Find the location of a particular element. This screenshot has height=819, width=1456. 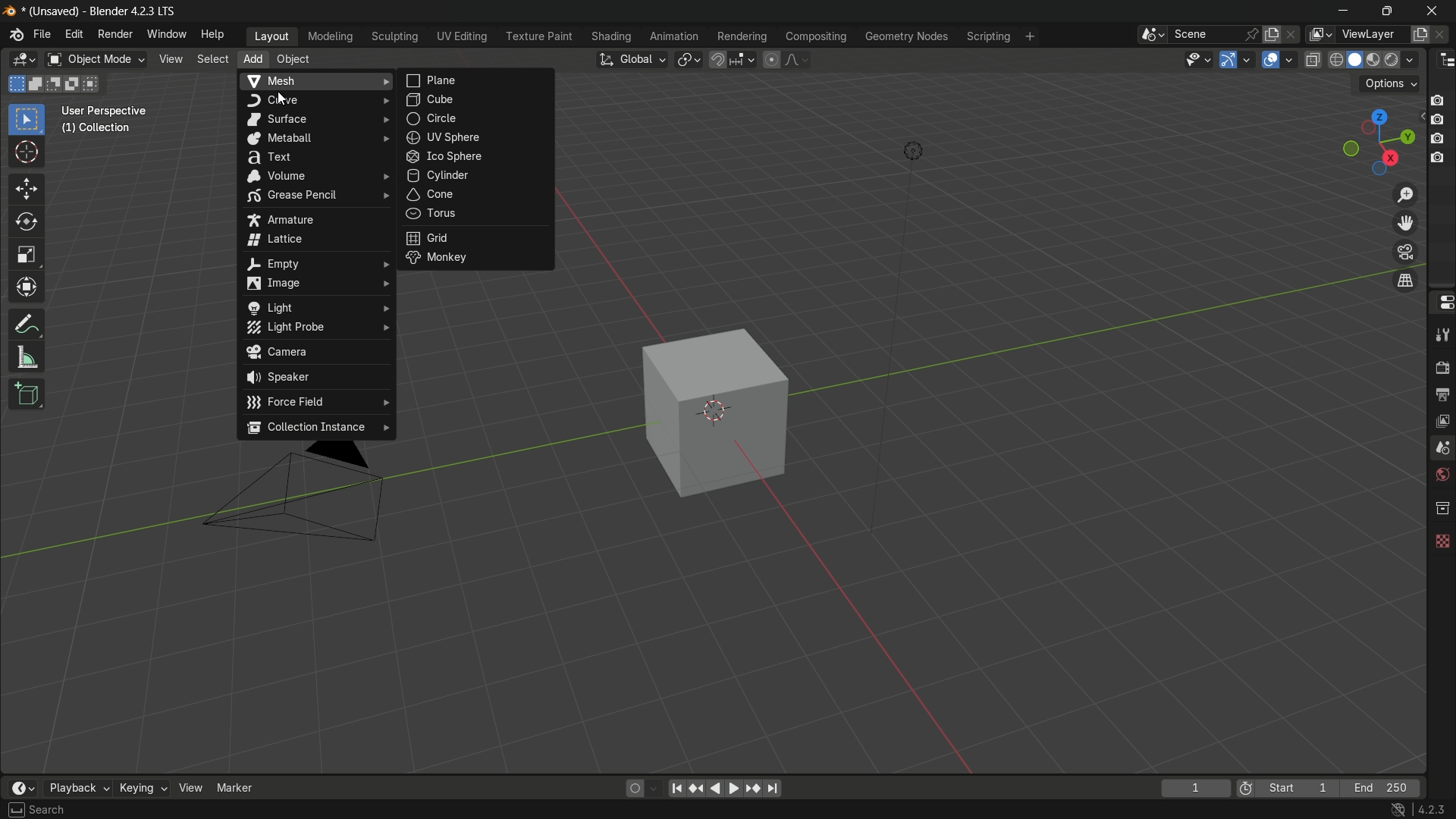

collection is located at coordinates (1439, 508).